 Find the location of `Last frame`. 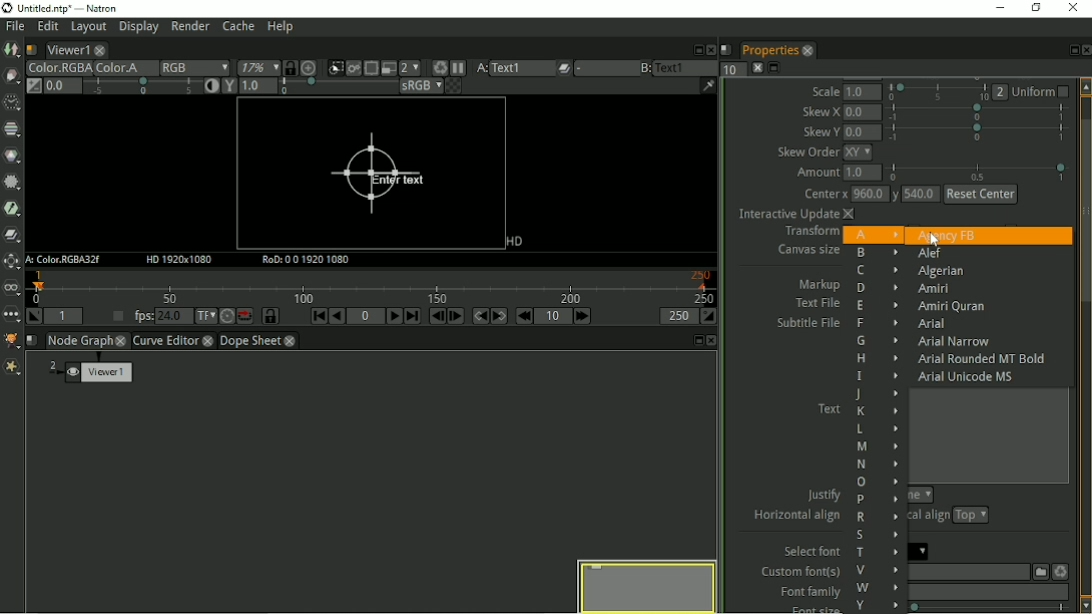

Last frame is located at coordinates (412, 316).